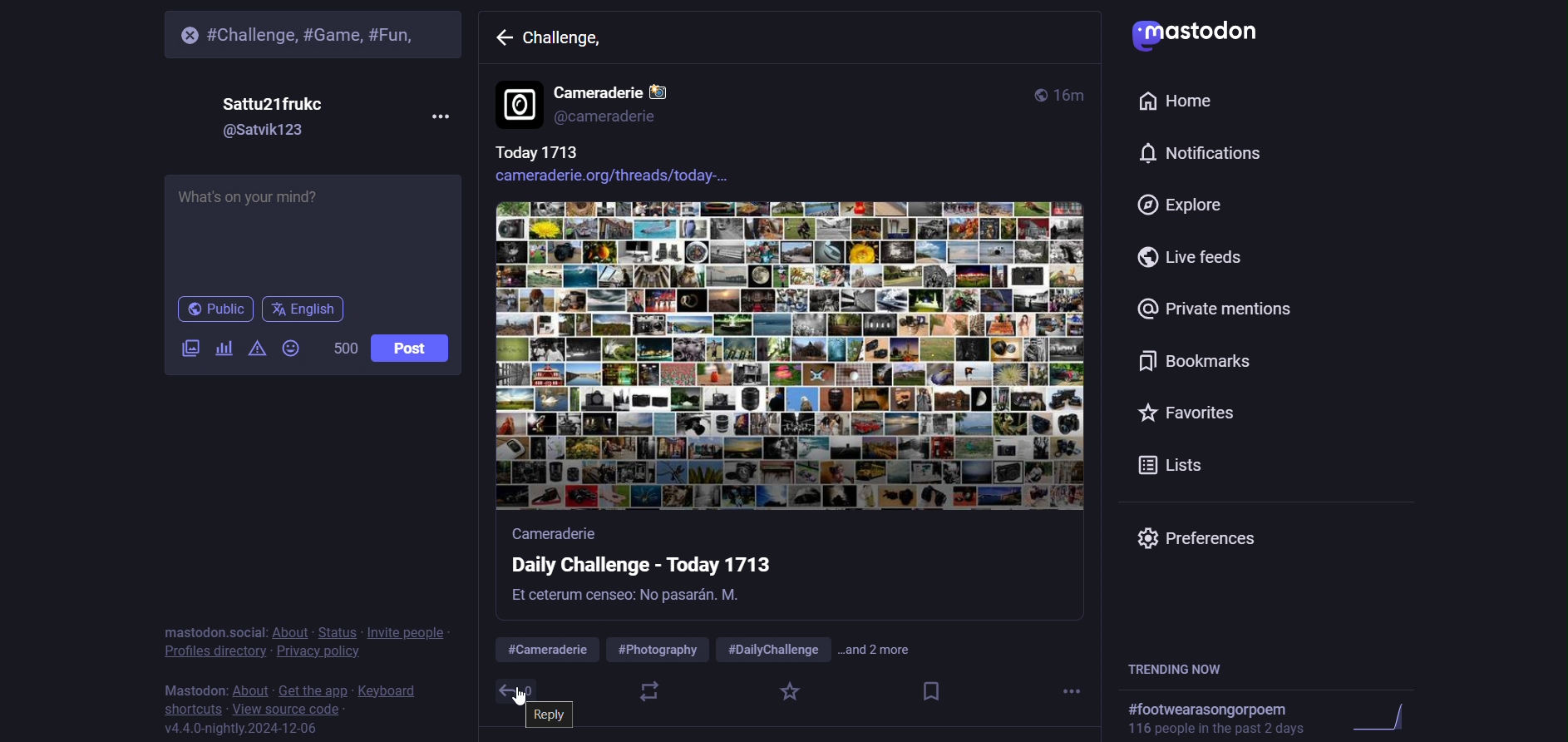 The width and height of the screenshot is (1568, 742). What do you see at coordinates (619, 87) in the screenshot?
I see `Cameraderie` at bounding box center [619, 87].